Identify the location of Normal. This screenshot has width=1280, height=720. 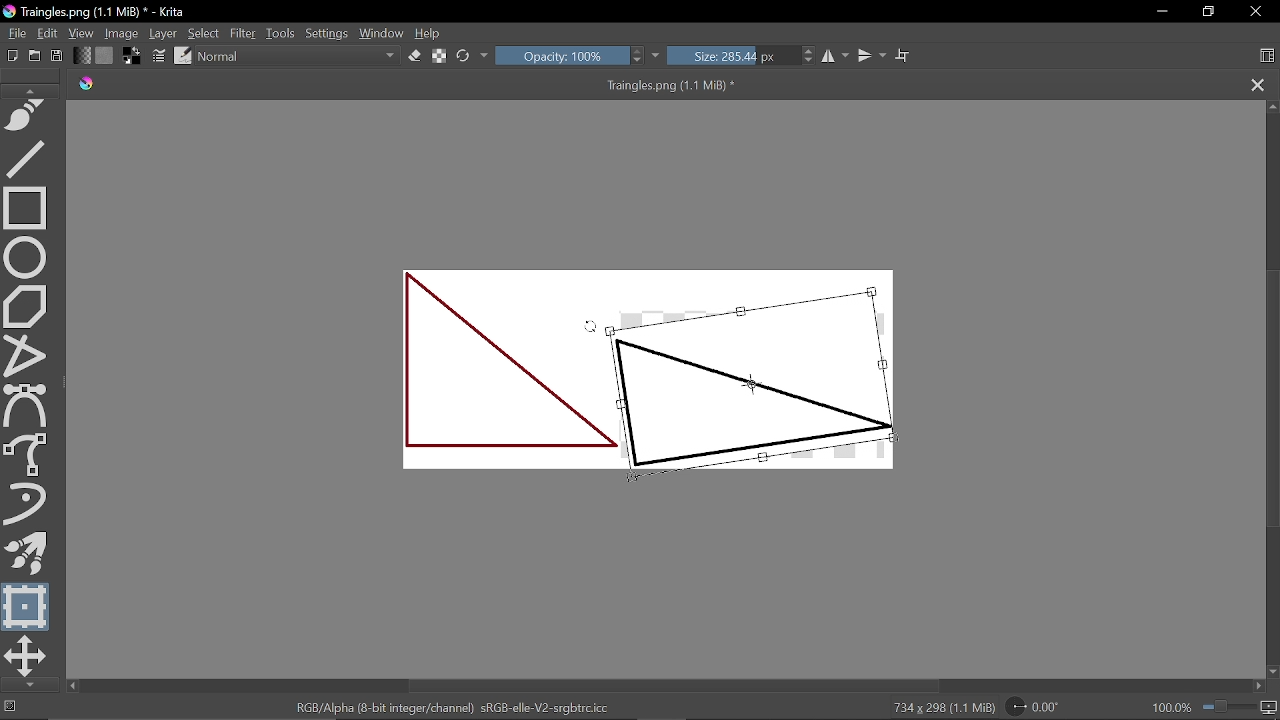
(299, 58).